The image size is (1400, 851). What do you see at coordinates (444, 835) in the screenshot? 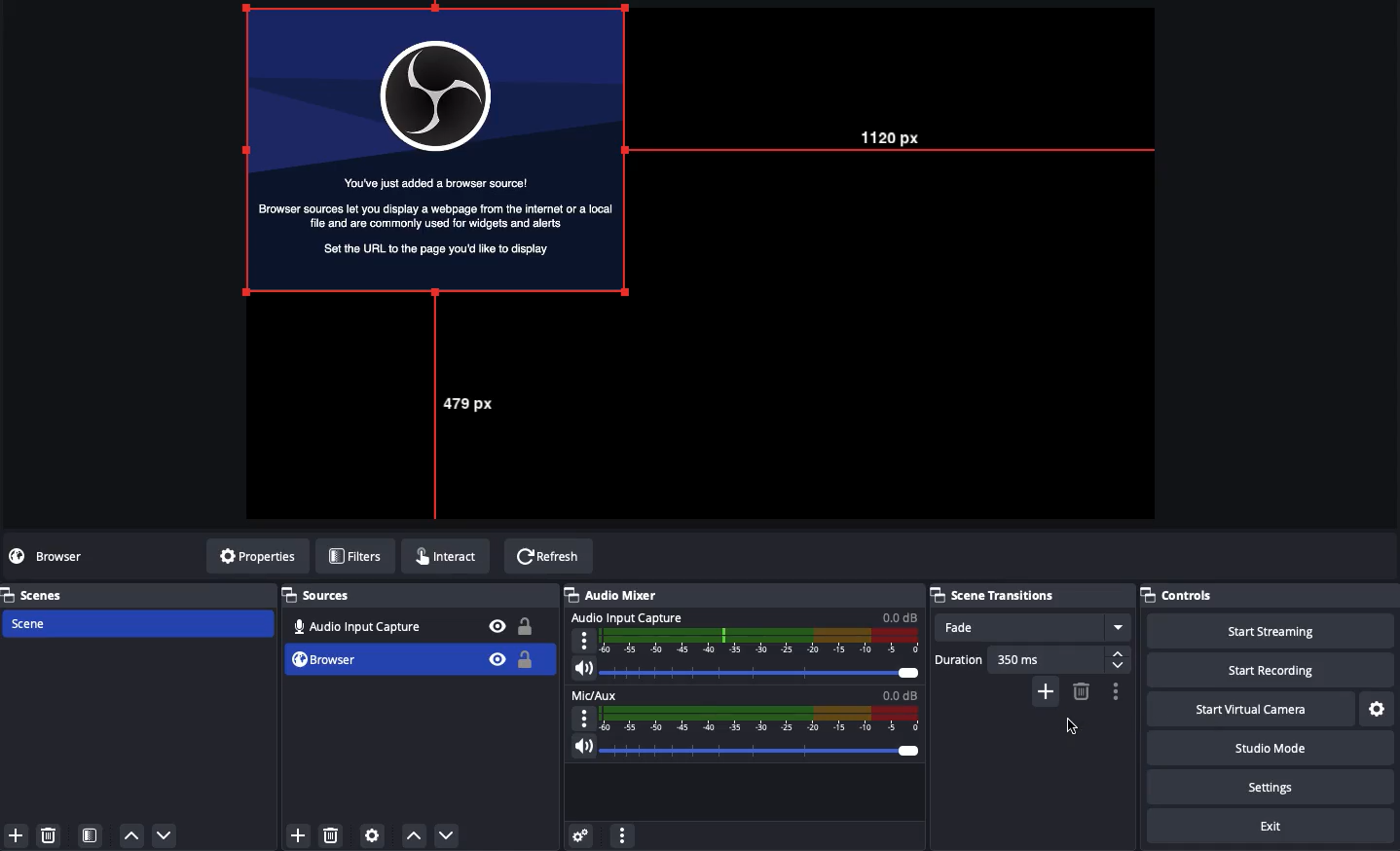
I see `Move down` at bounding box center [444, 835].